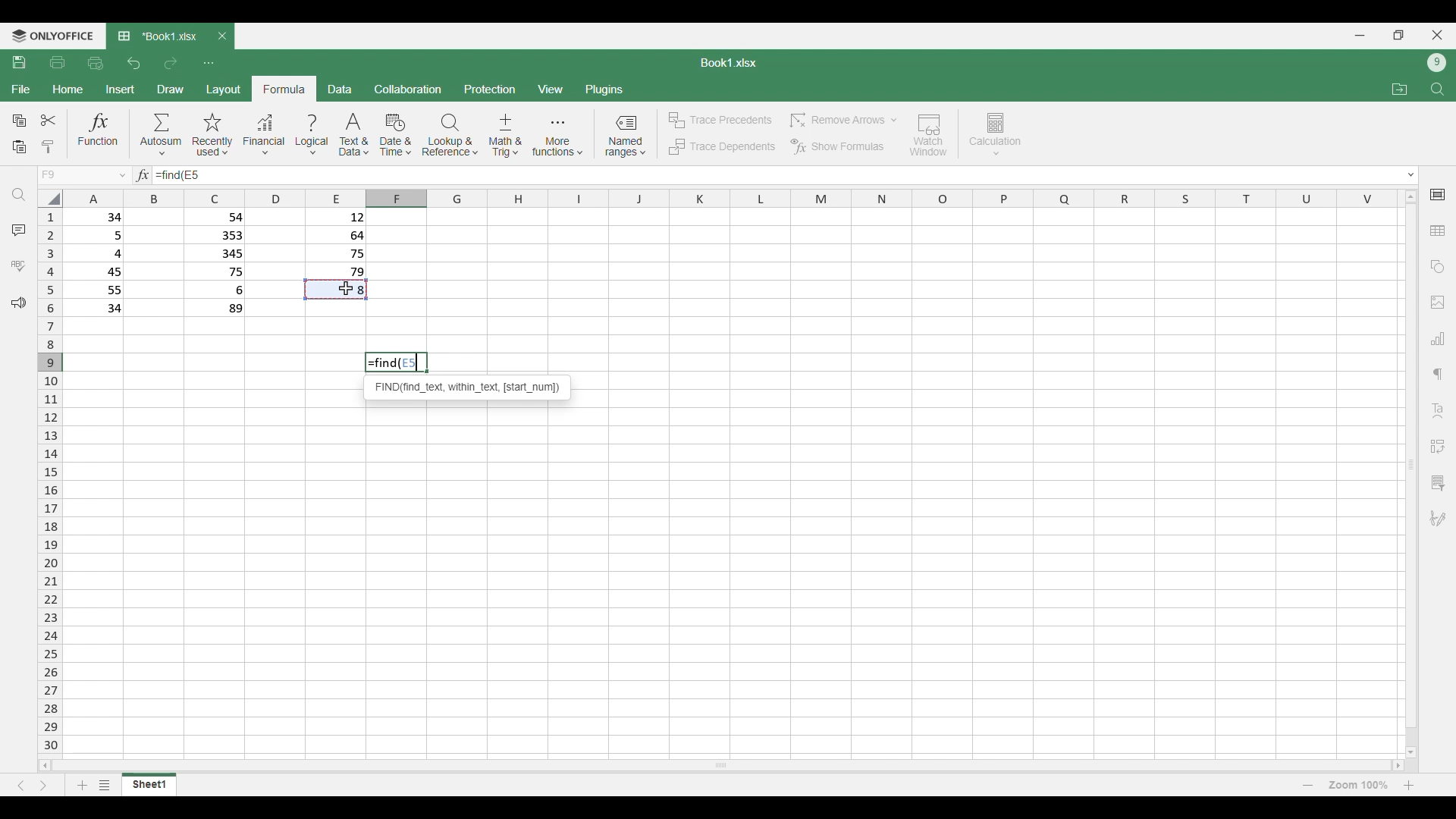 The height and width of the screenshot is (819, 1456). Describe the element at coordinates (625, 136) in the screenshot. I see `Named ranges` at that location.